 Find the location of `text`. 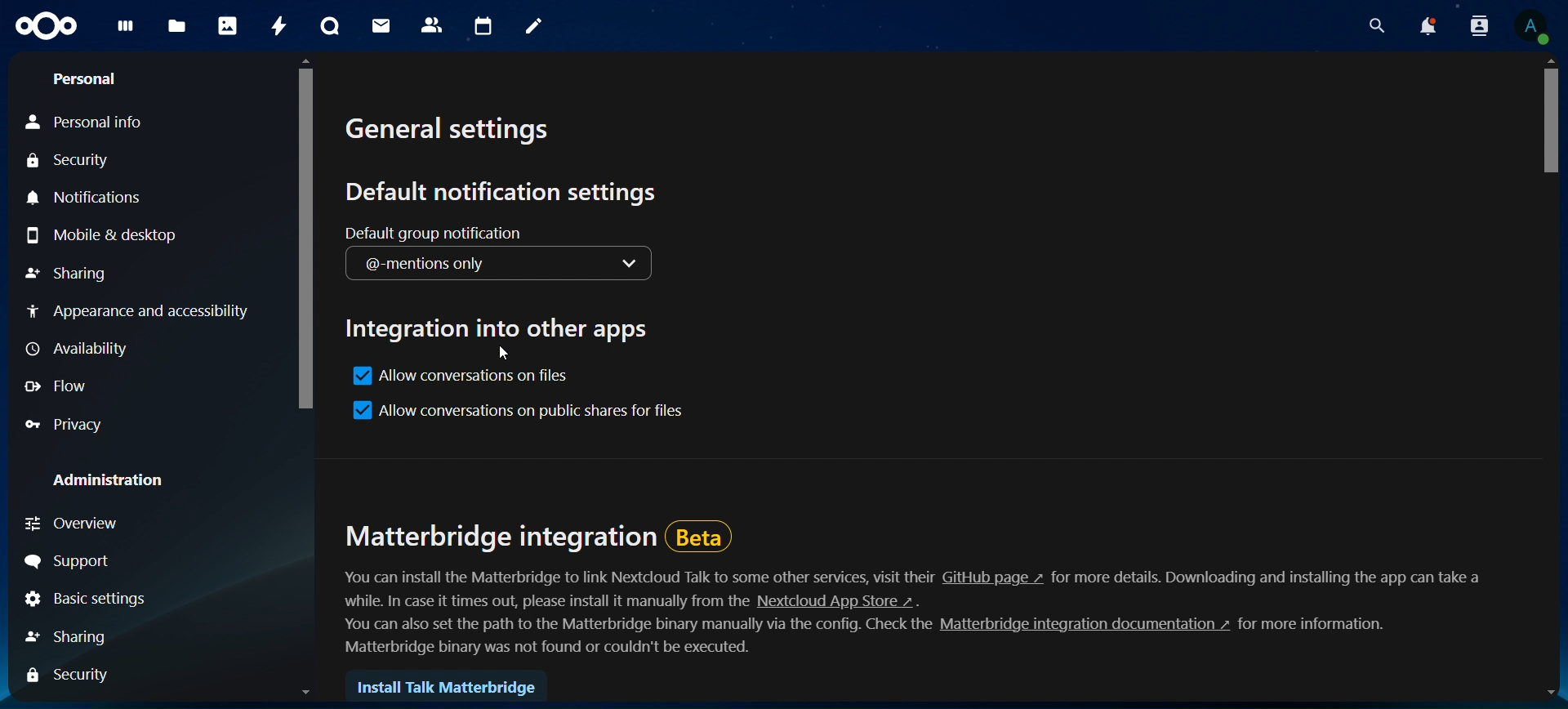

text is located at coordinates (1275, 575).